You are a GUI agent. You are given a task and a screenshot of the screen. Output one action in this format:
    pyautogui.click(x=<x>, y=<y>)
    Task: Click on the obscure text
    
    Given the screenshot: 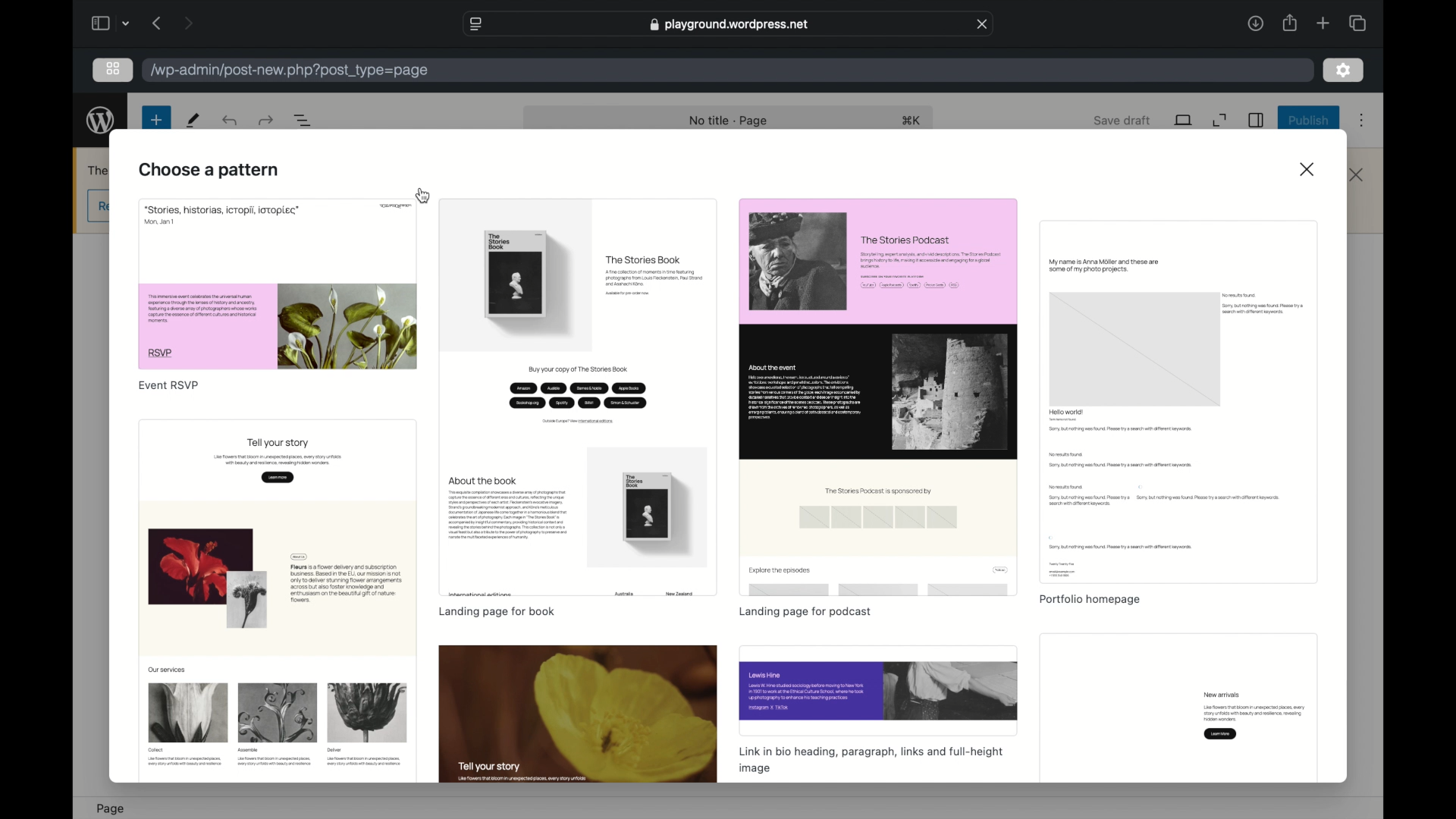 What is the action you would take?
    pyautogui.click(x=99, y=170)
    